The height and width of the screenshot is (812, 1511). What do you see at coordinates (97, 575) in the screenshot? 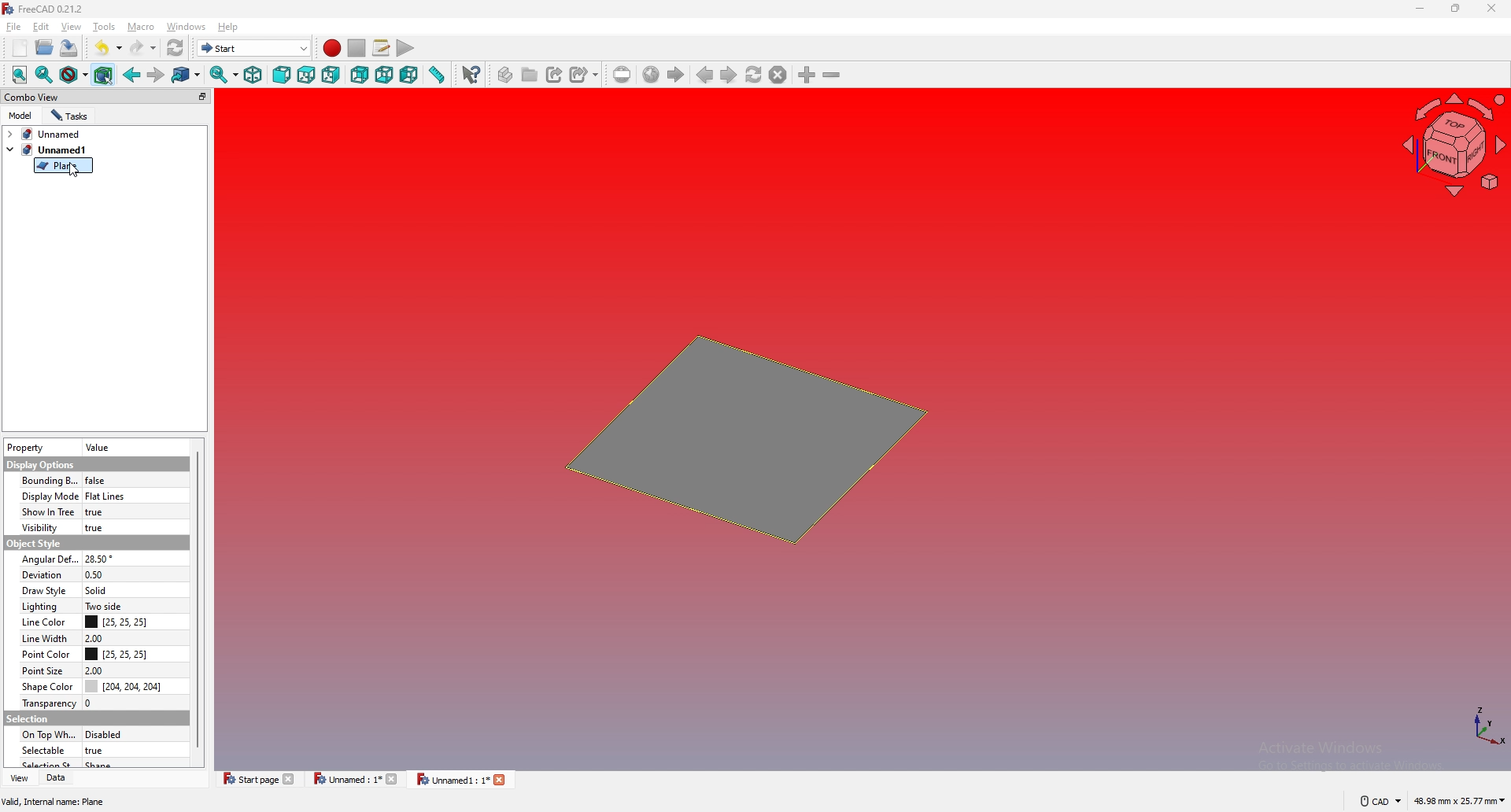
I see `0.50` at bounding box center [97, 575].